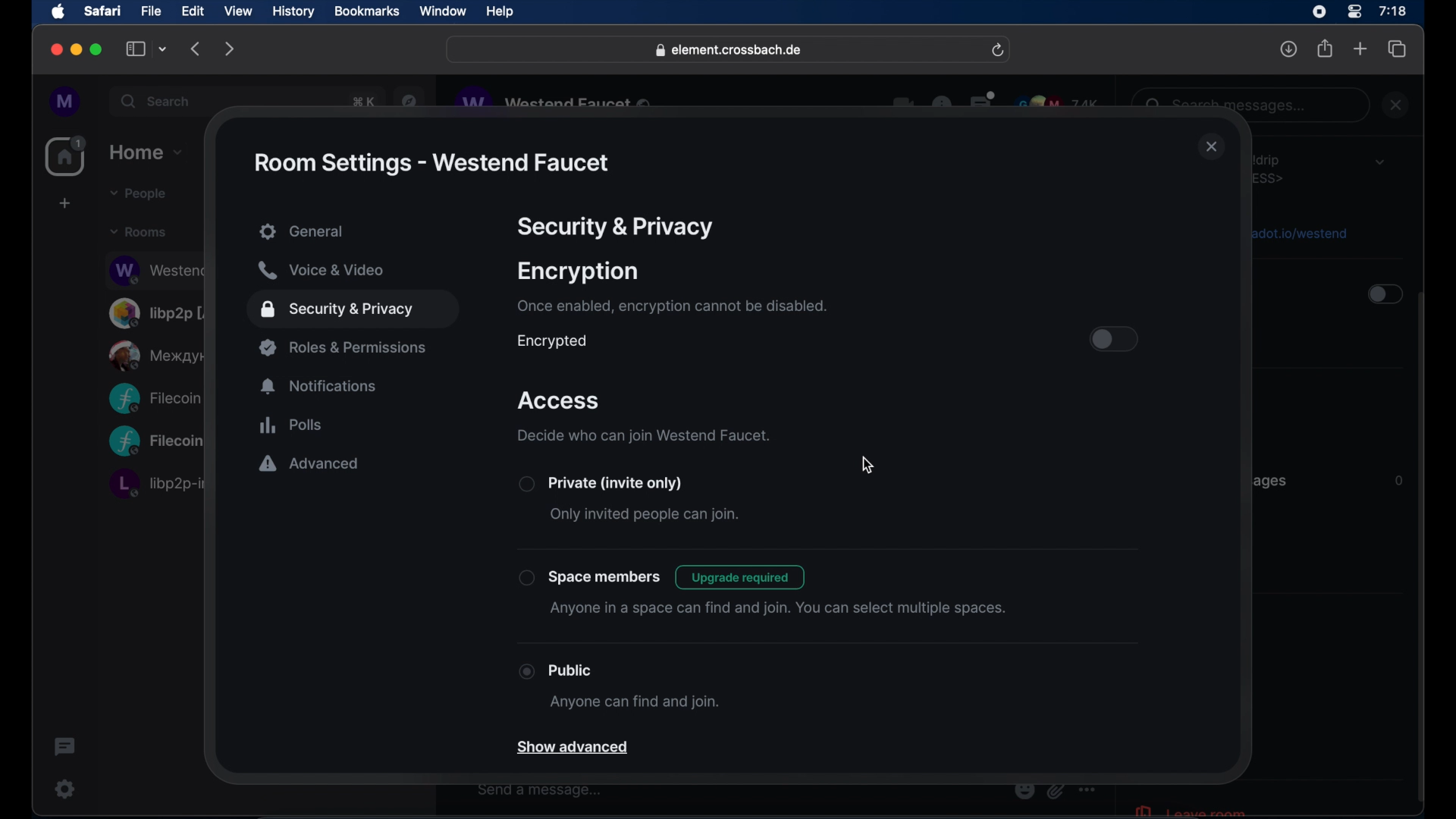 The image size is (1456, 819). Describe the element at coordinates (1398, 481) in the screenshot. I see `` at that location.